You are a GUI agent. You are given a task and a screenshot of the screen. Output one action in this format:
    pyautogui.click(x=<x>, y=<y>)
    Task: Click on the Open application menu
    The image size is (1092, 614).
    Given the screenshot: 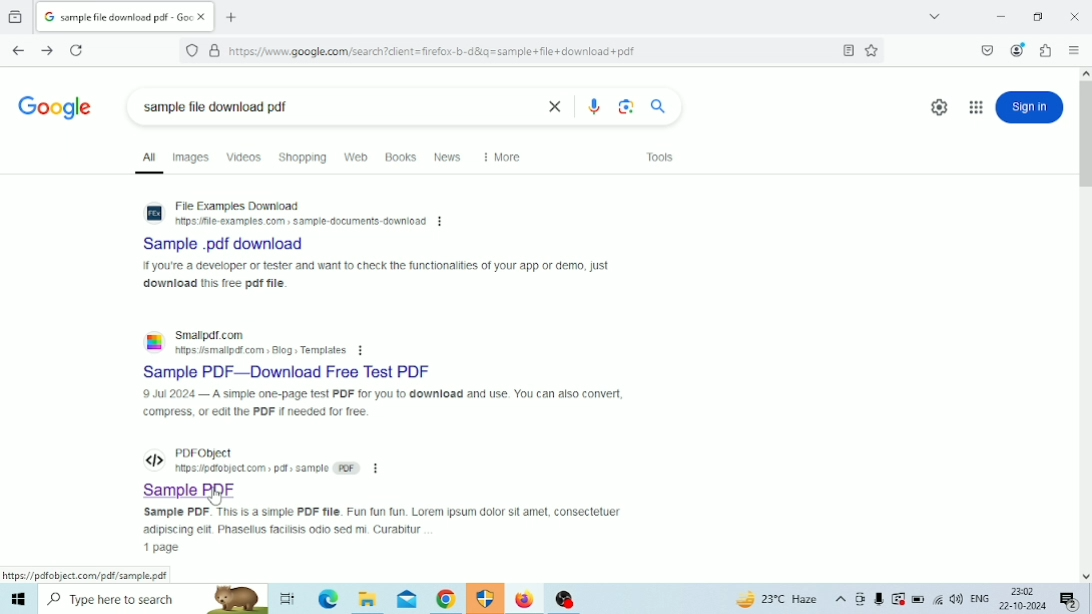 What is the action you would take?
    pyautogui.click(x=1074, y=50)
    